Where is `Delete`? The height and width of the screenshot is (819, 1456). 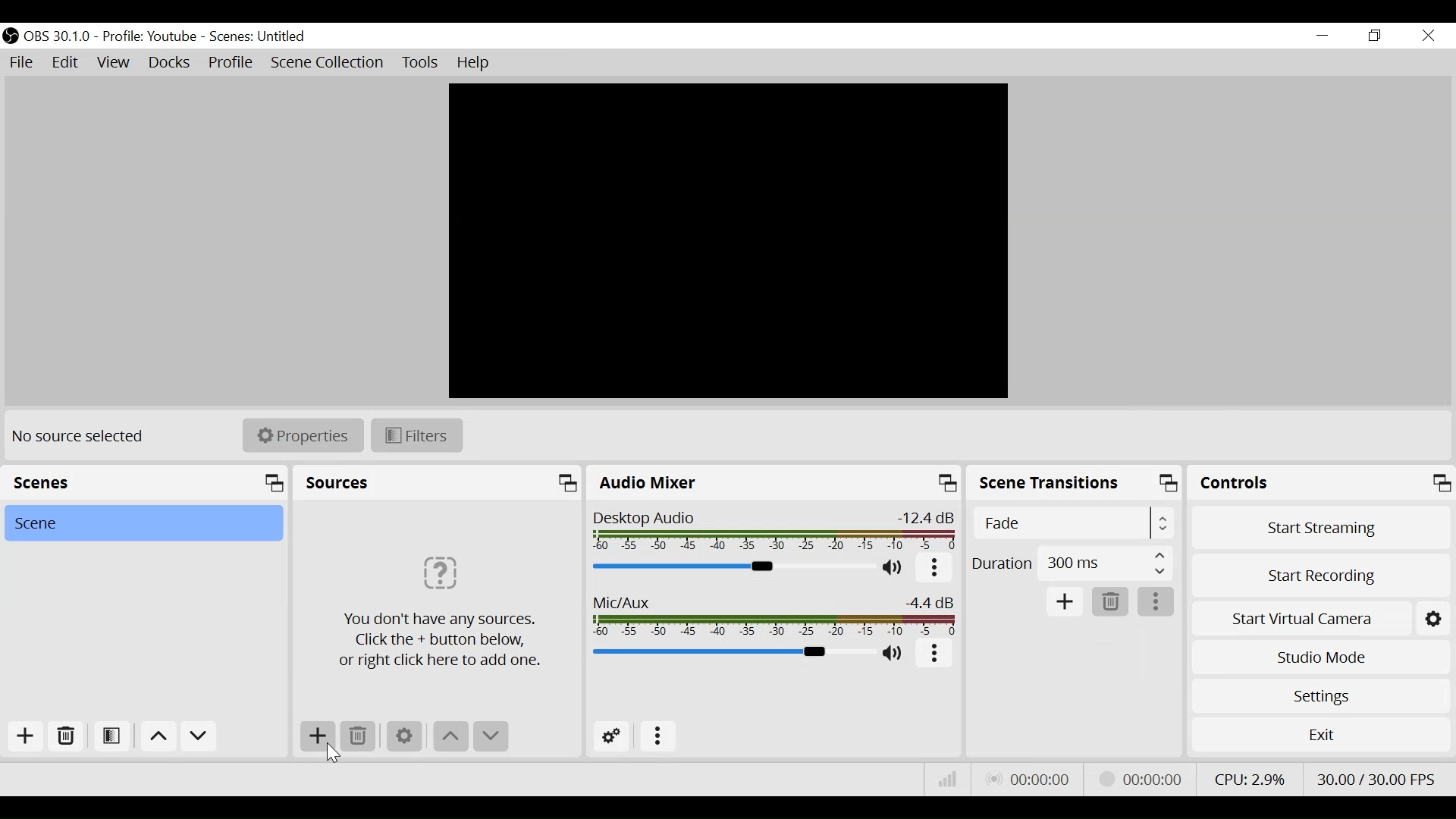 Delete is located at coordinates (359, 736).